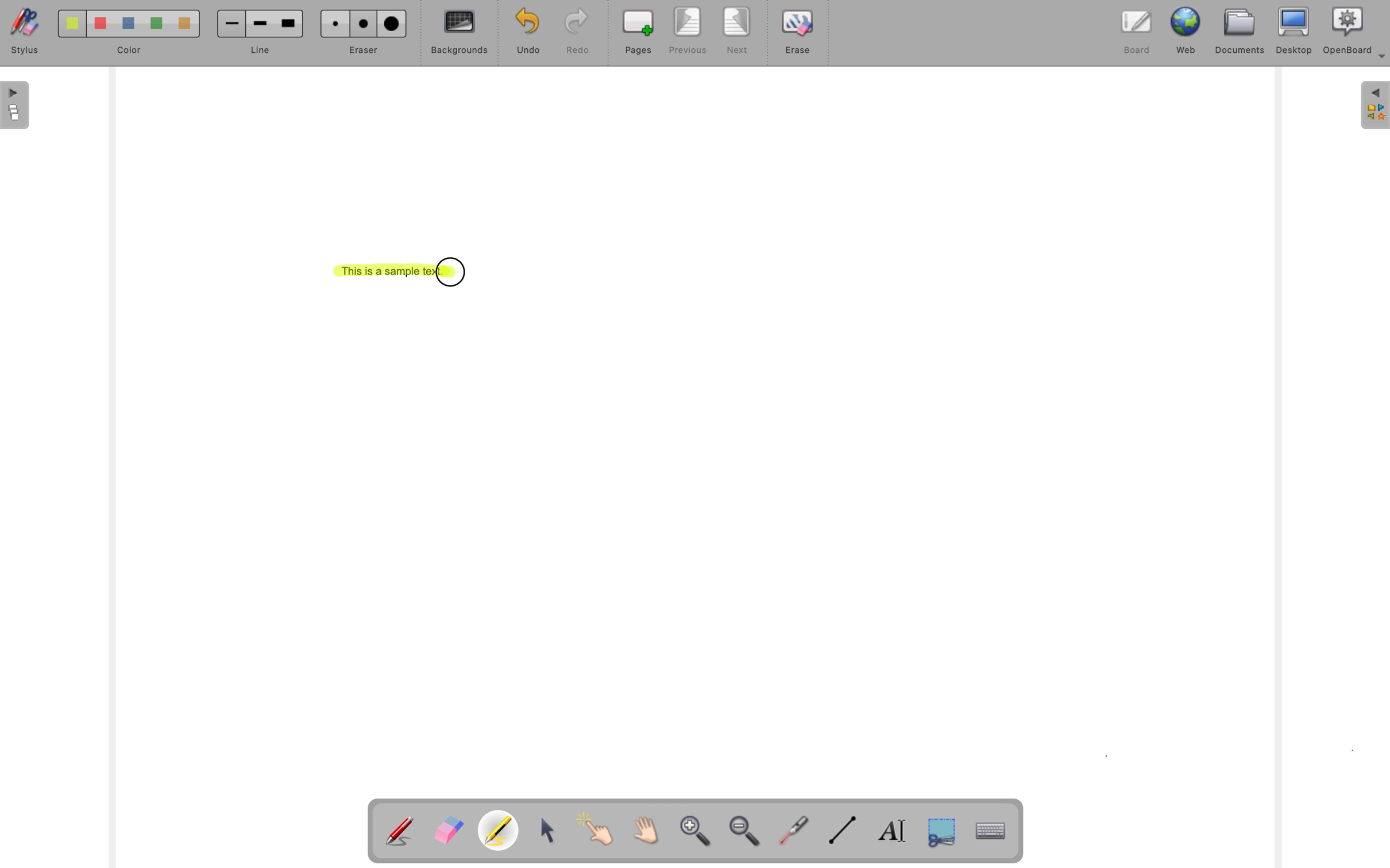  What do you see at coordinates (25, 32) in the screenshot?
I see `stylus` at bounding box center [25, 32].